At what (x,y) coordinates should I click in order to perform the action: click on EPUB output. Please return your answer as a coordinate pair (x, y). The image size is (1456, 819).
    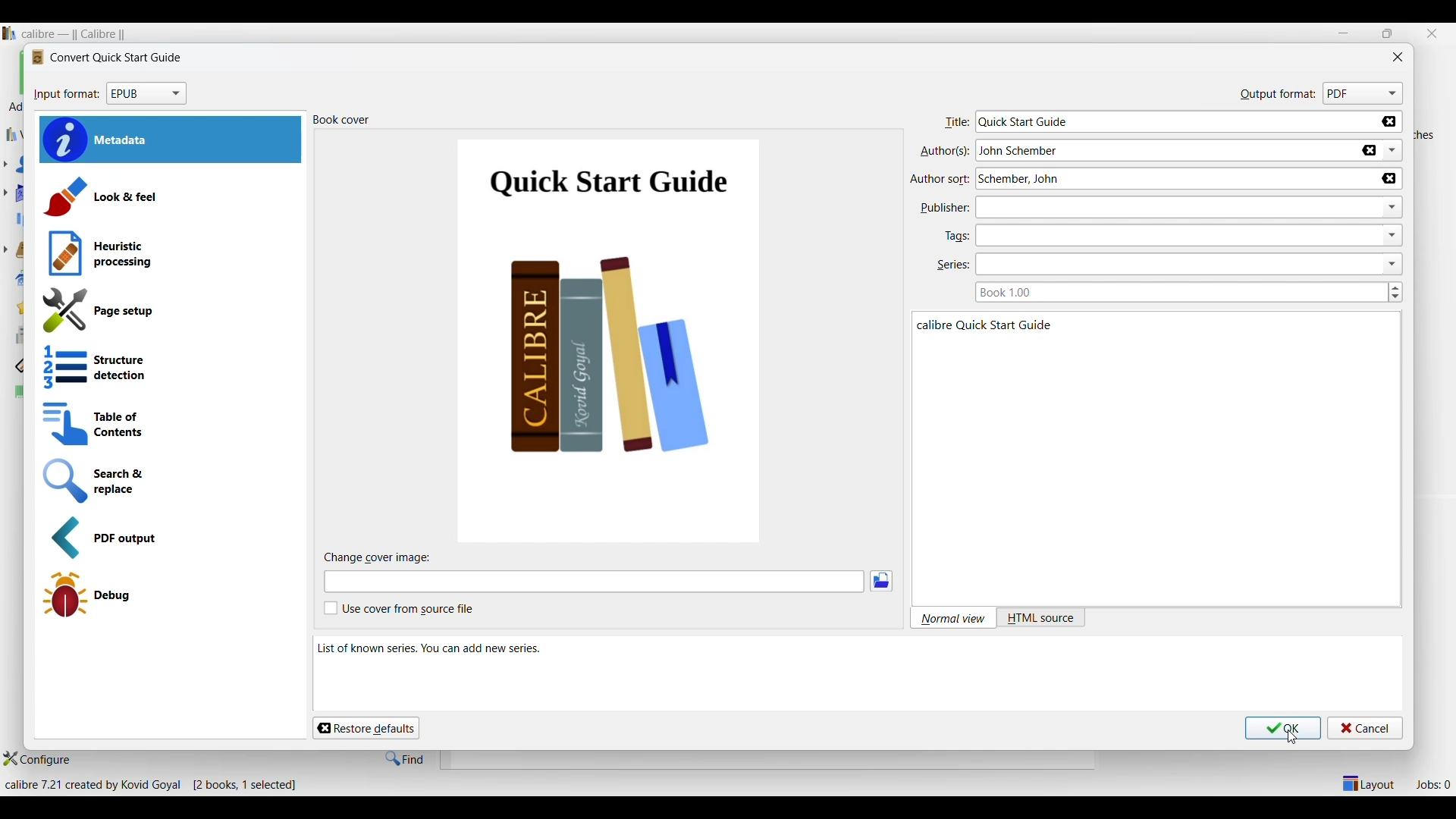
    Looking at the image, I should click on (169, 538).